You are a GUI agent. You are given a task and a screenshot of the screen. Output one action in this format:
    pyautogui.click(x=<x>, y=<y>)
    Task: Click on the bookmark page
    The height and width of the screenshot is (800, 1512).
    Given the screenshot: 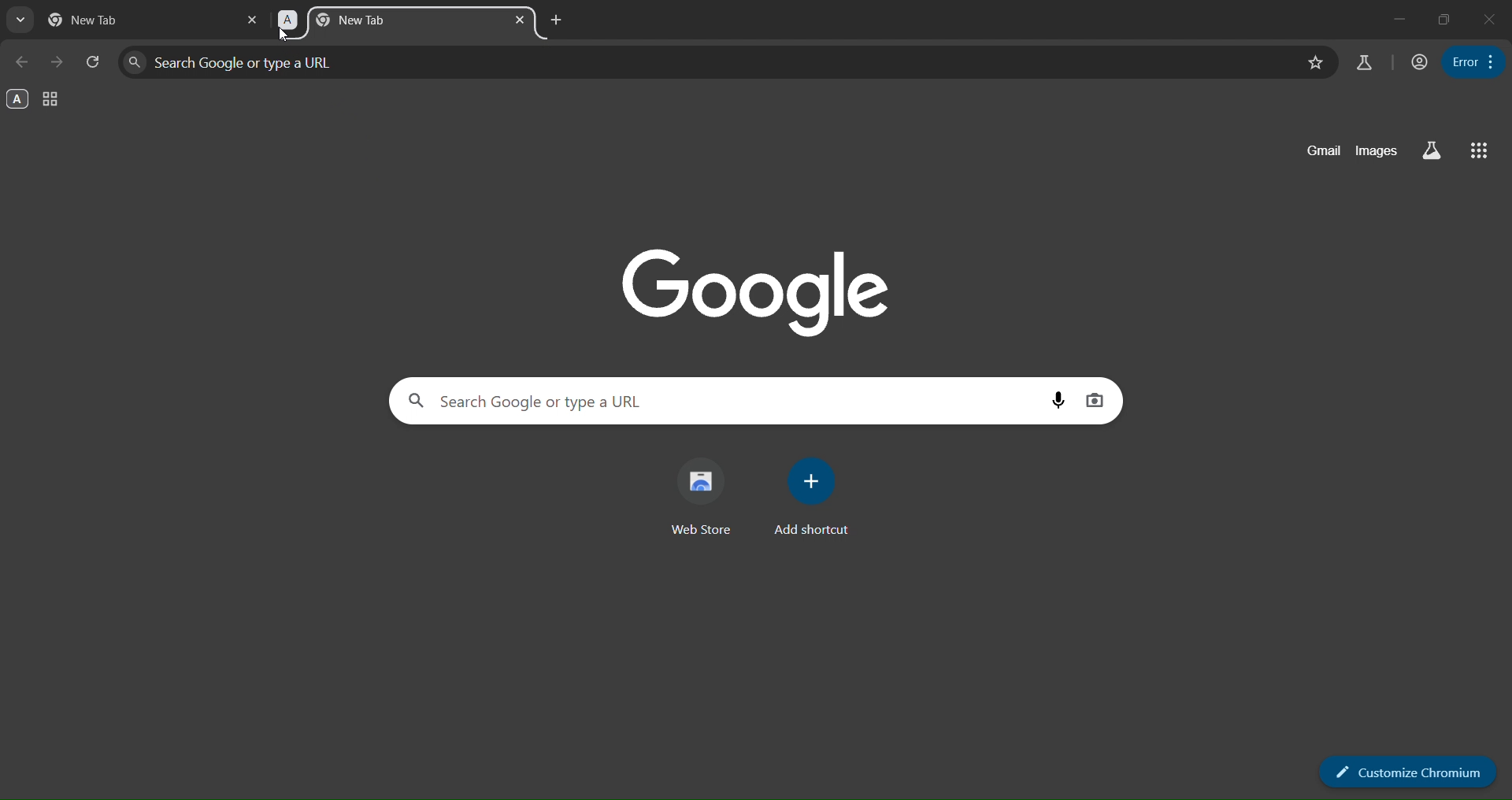 What is the action you would take?
    pyautogui.click(x=1313, y=62)
    